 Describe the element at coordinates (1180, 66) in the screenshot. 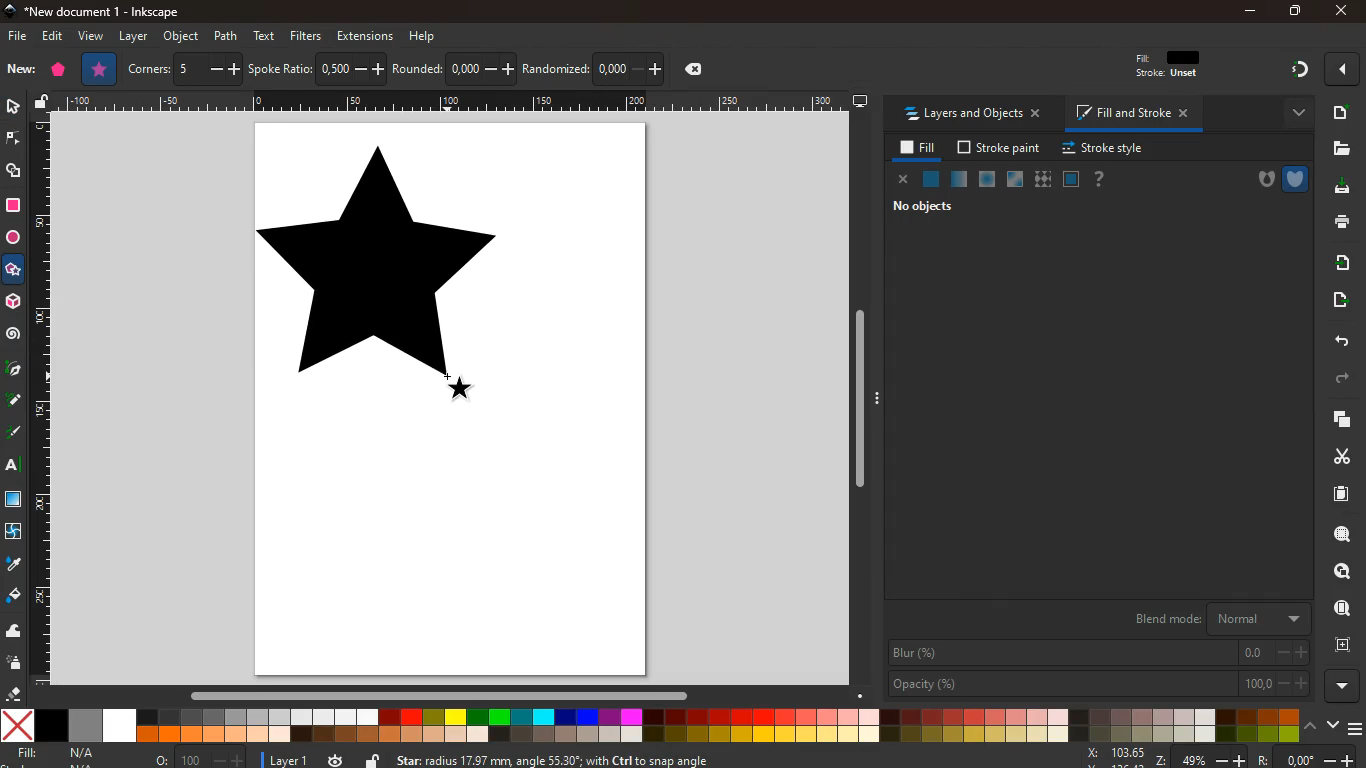

I see `fill` at that location.